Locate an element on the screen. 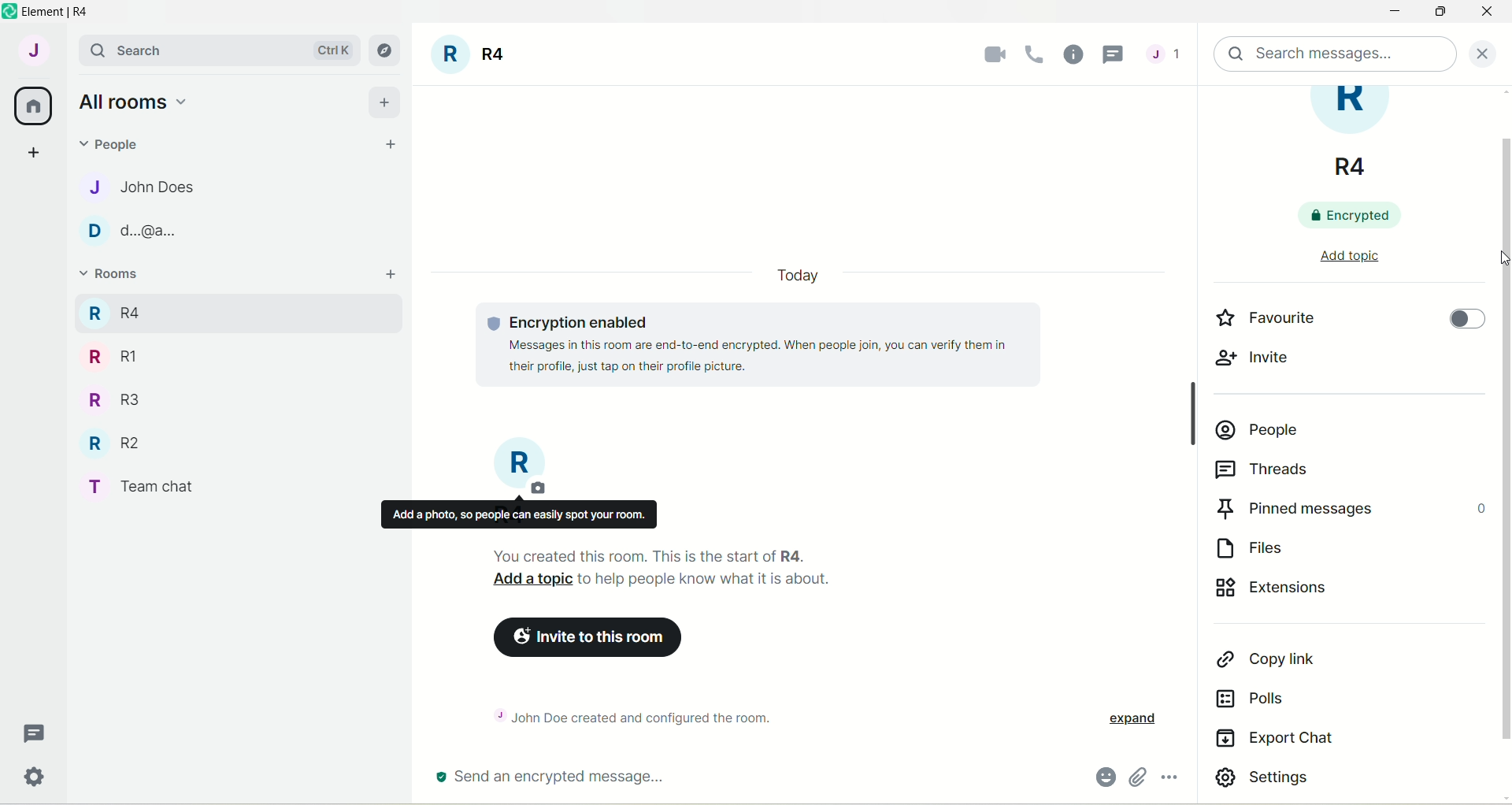 The image size is (1512, 805). R R4 is located at coordinates (113, 310).